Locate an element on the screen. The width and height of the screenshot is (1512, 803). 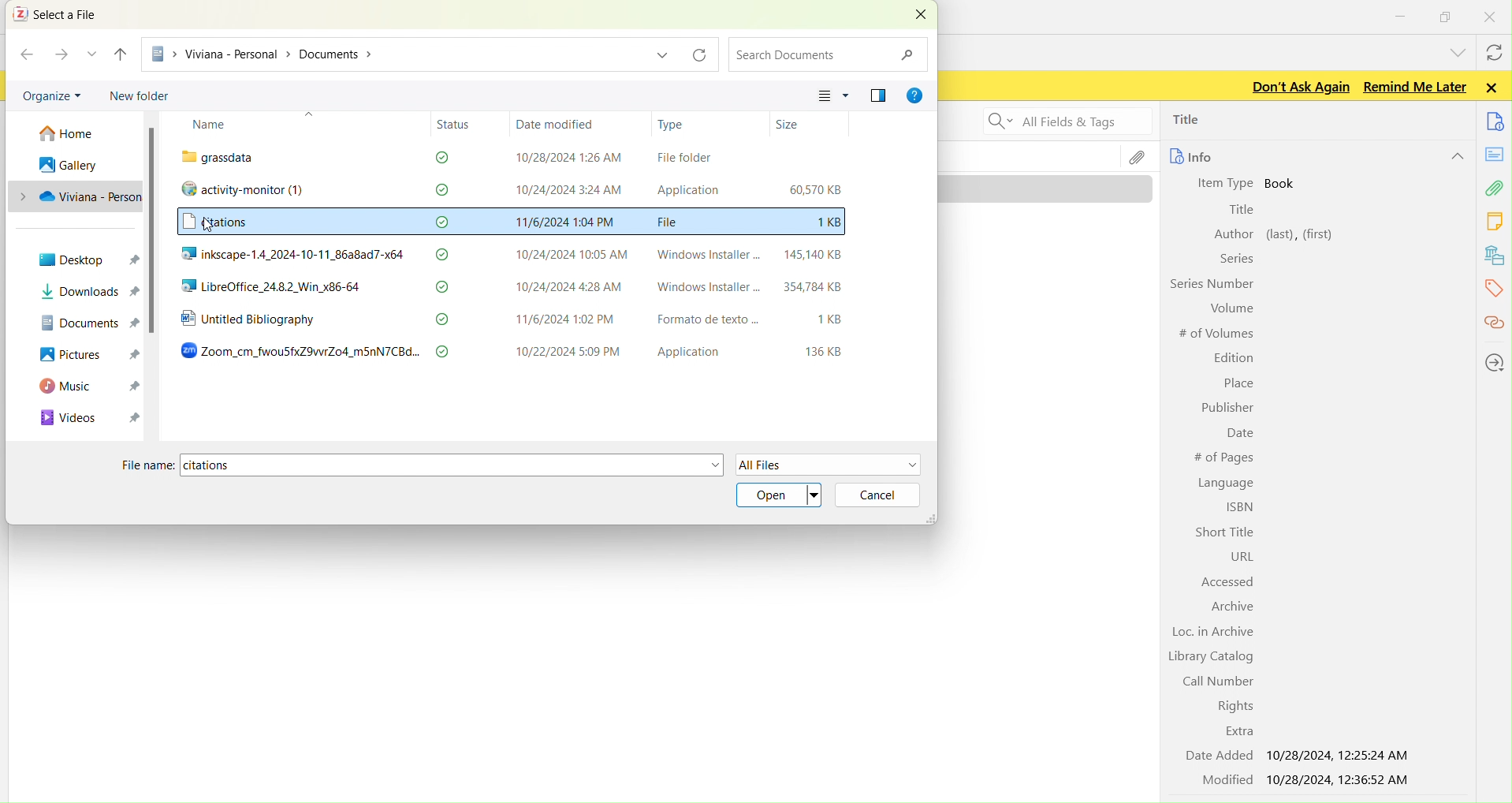
Name is located at coordinates (207, 125).